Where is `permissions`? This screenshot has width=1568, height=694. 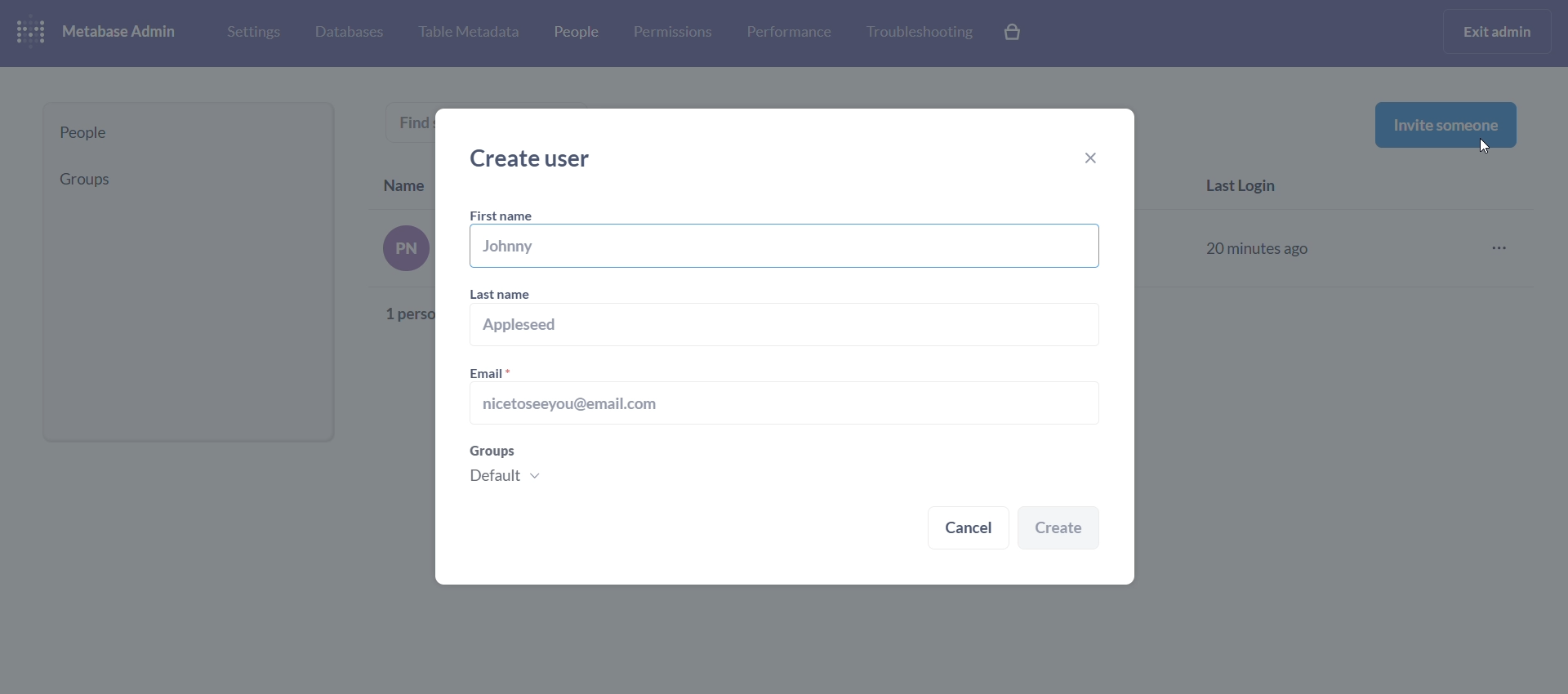 permissions is located at coordinates (673, 33).